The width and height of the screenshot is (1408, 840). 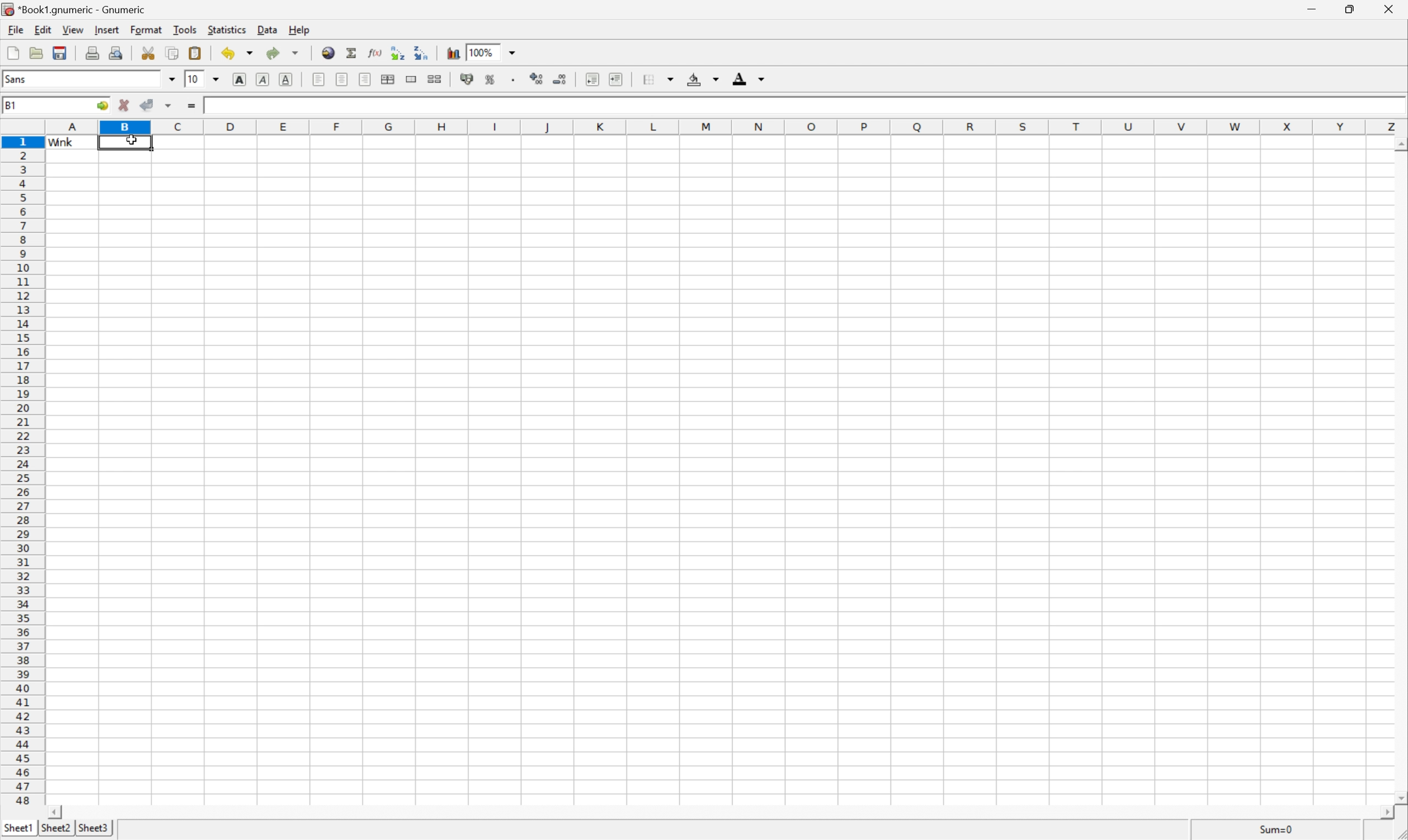 I want to click on format, so click(x=146, y=31).